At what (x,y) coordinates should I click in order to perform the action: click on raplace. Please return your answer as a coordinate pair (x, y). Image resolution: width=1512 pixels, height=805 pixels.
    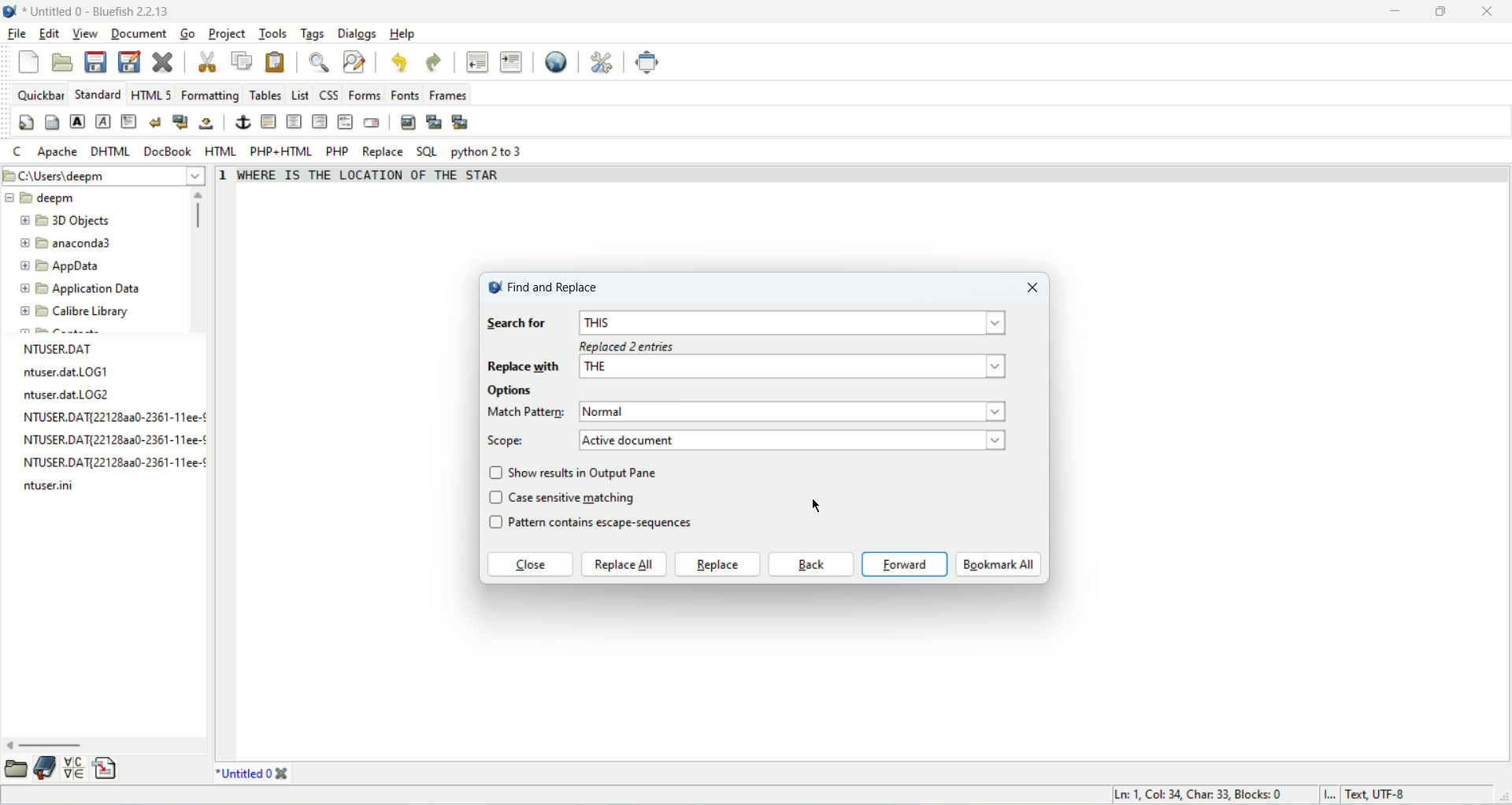
    Looking at the image, I should click on (717, 564).